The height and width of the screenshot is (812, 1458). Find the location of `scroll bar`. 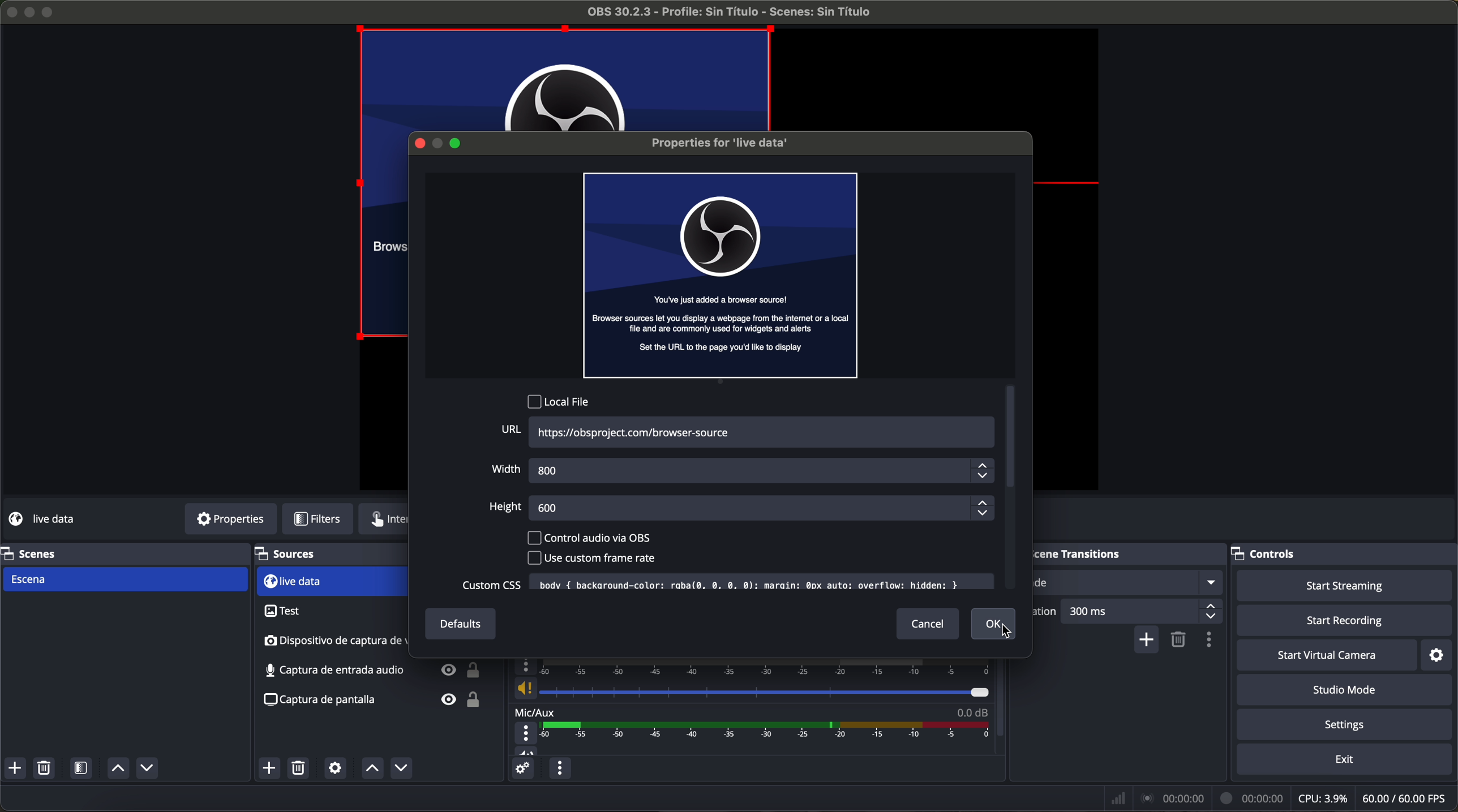

scroll bar is located at coordinates (1013, 488).